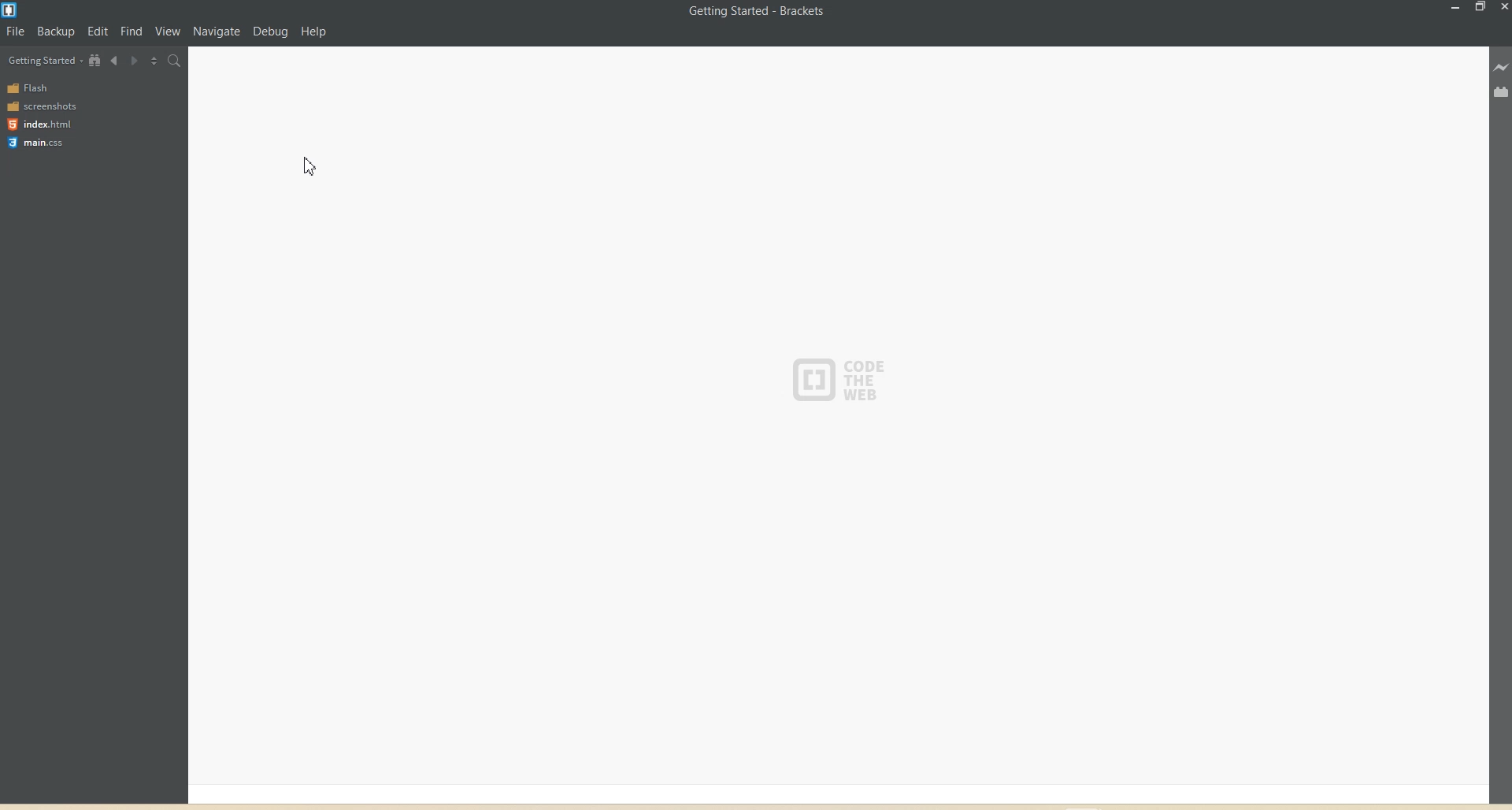 The image size is (1512, 810). What do you see at coordinates (98, 28) in the screenshot?
I see `Edit` at bounding box center [98, 28].